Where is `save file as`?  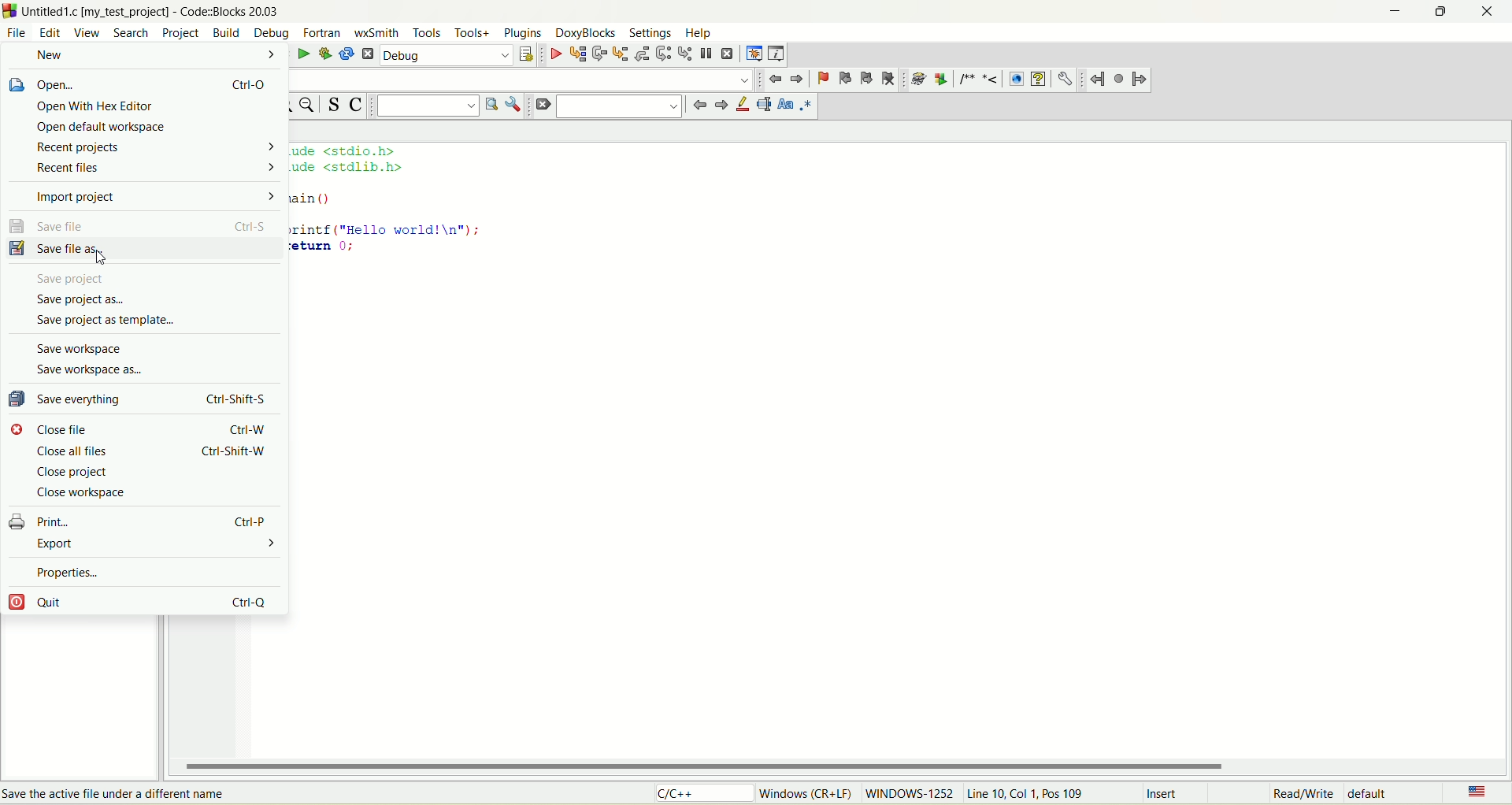
save file as is located at coordinates (61, 250).